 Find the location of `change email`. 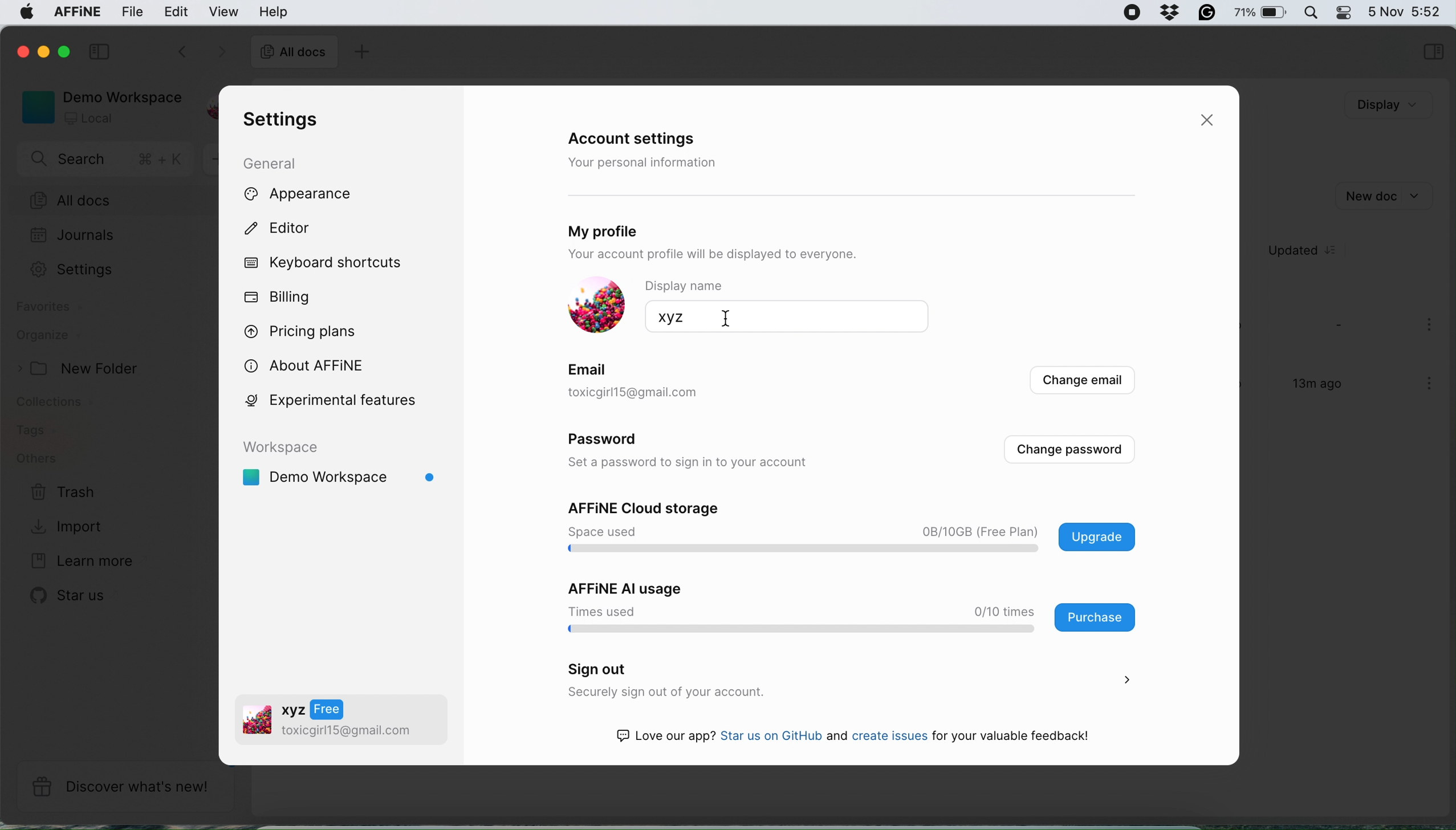

change email is located at coordinates (1080, 383).